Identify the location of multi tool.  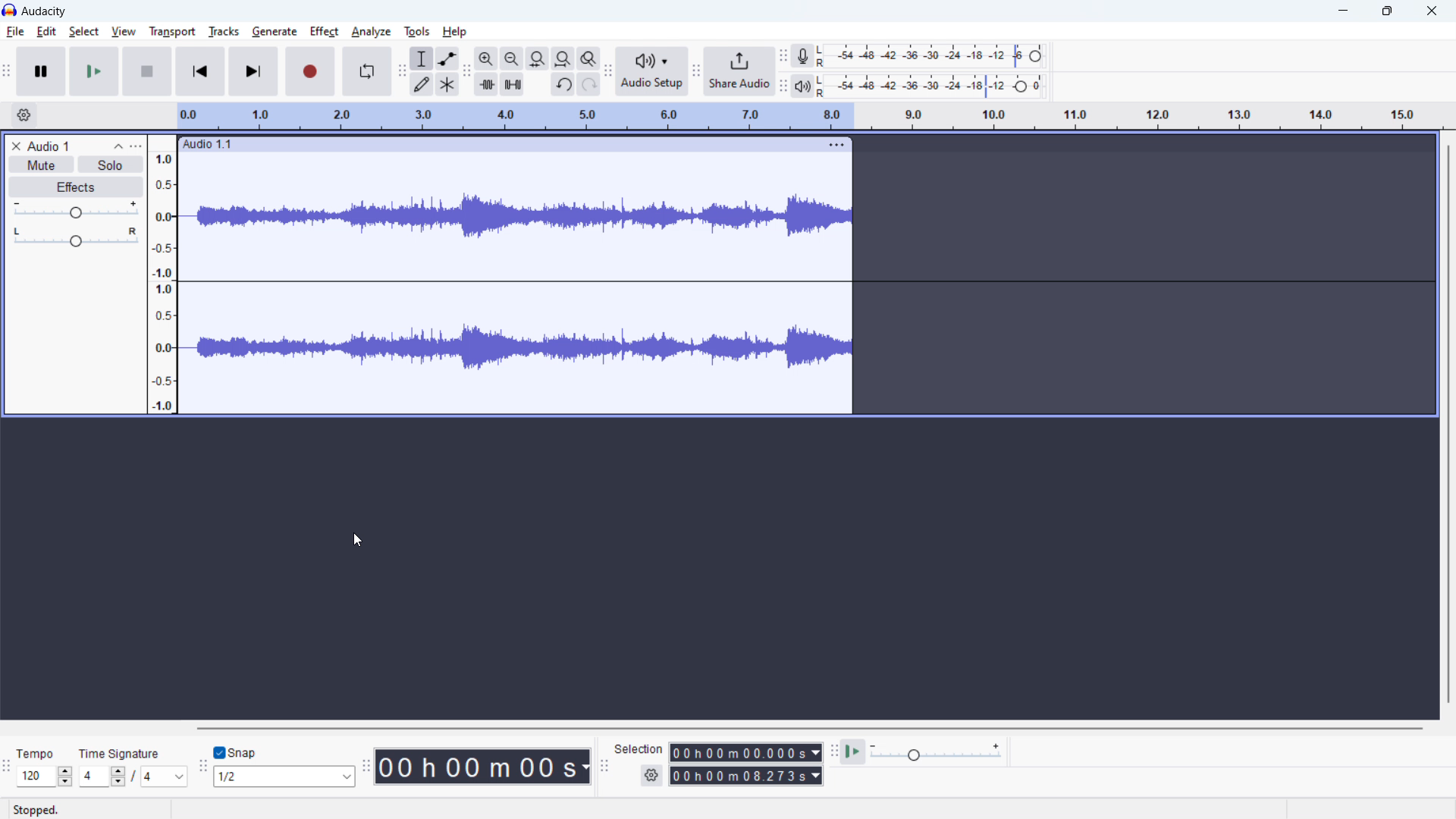
(447, 83).